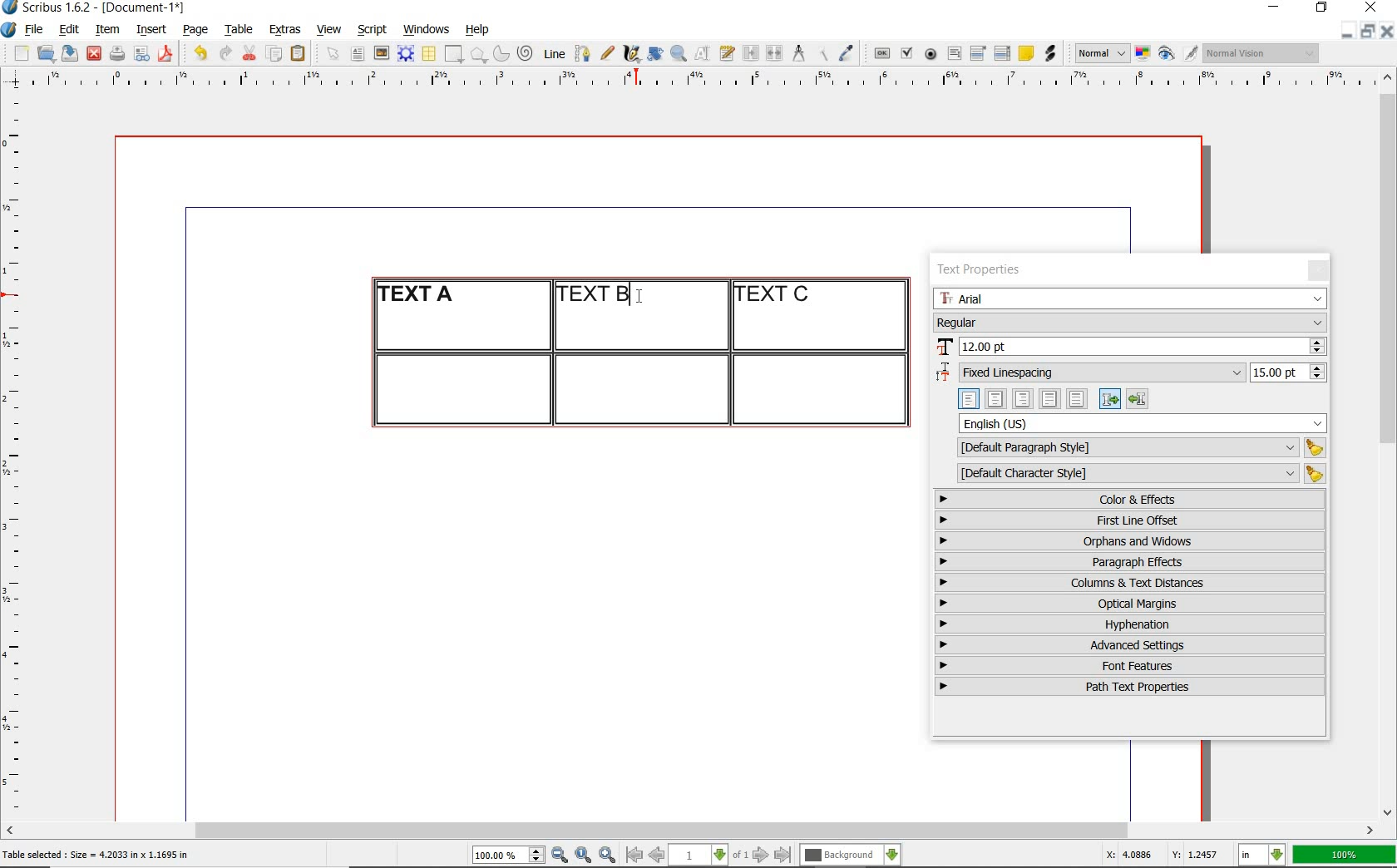 The height and width of the screenshot is (868, 1397). Describe the element at coordinates (1128, 542) in the screenshot. I see `orphans & windows` at that location.